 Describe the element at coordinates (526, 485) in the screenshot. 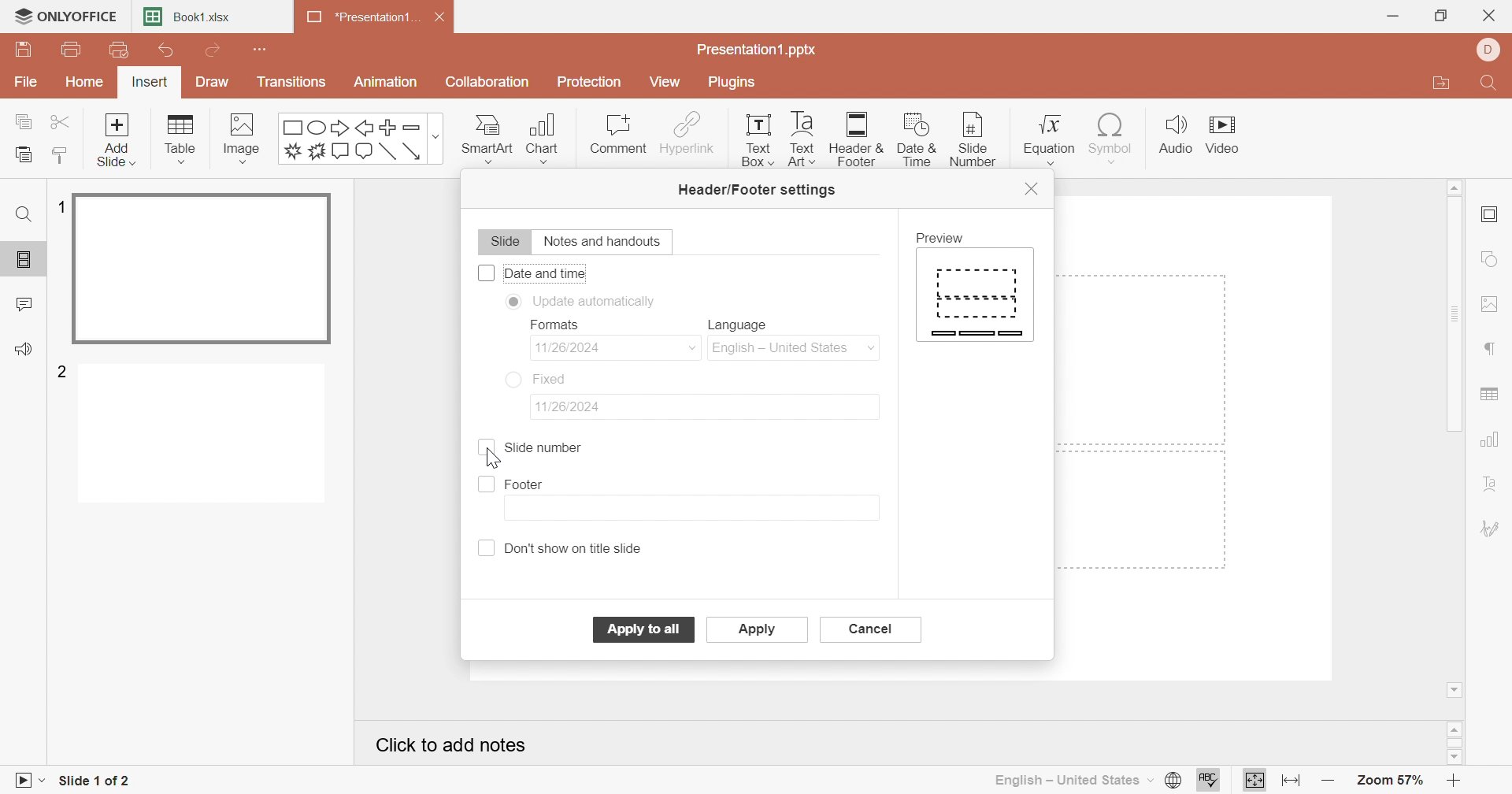

I see `Footer` at that location.